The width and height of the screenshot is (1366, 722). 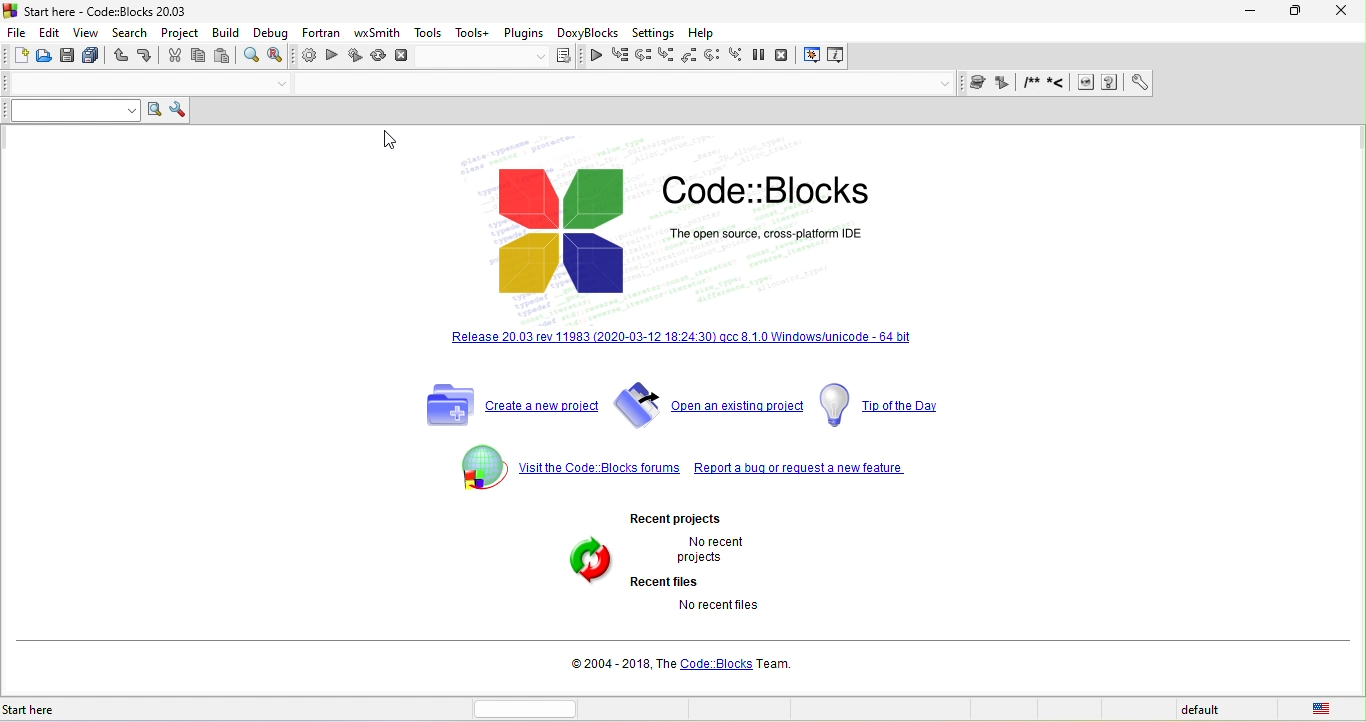 I want to click on doxyblocks, so click(x=591, y=32).